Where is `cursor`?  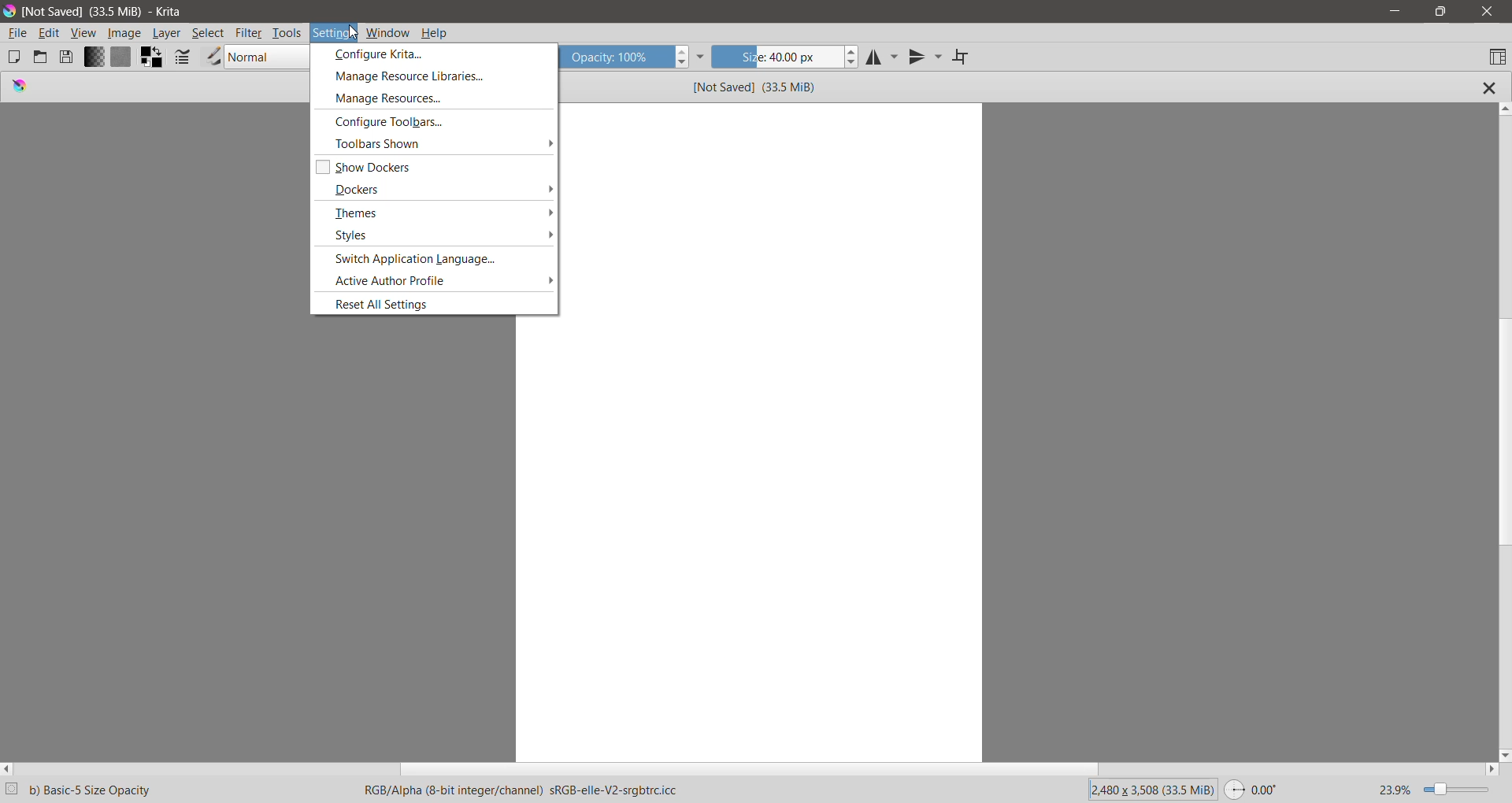 cursor is located at coordinates (353, 34).